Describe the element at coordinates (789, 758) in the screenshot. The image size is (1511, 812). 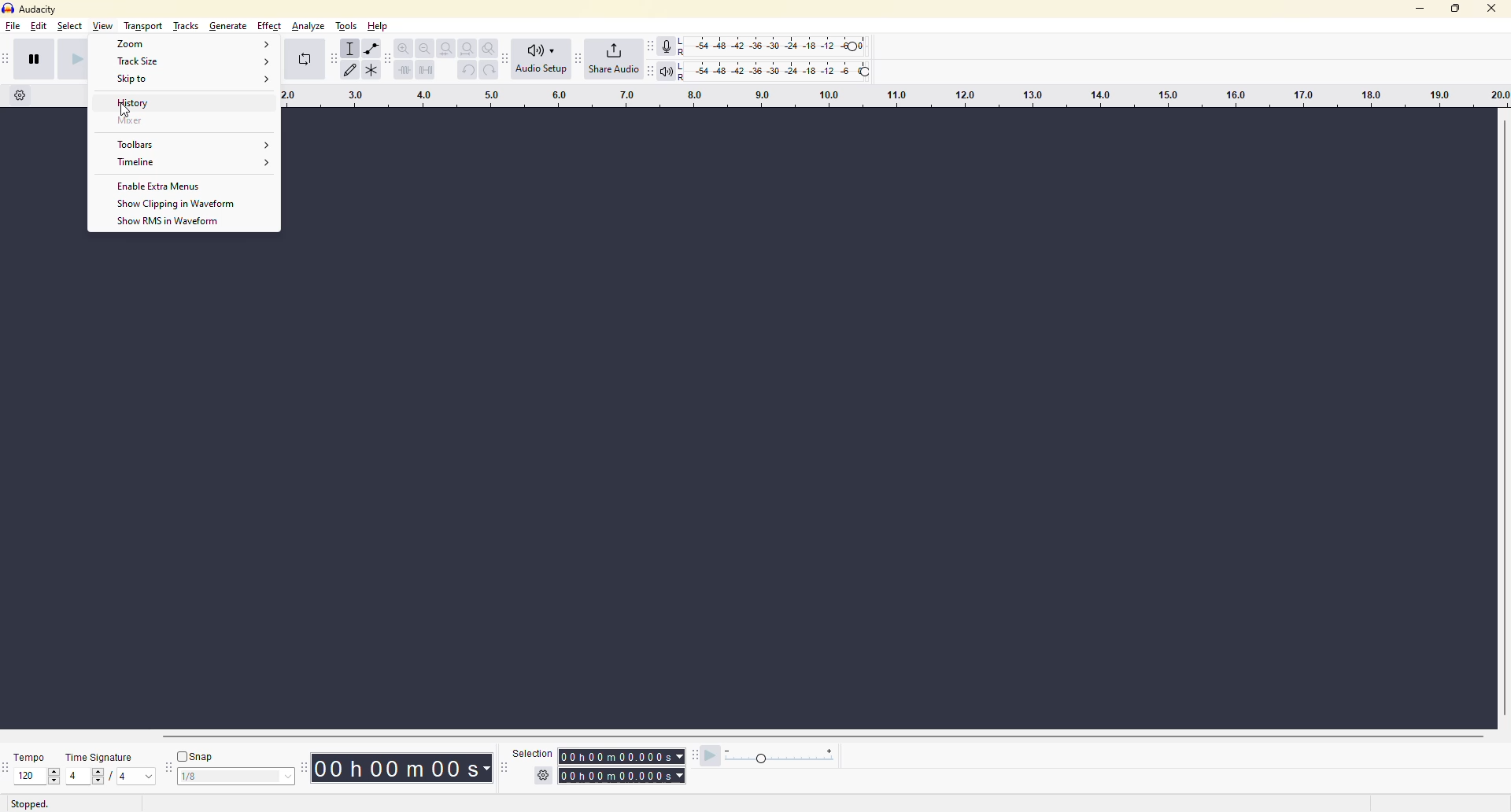
I see `playback speed` at that location.